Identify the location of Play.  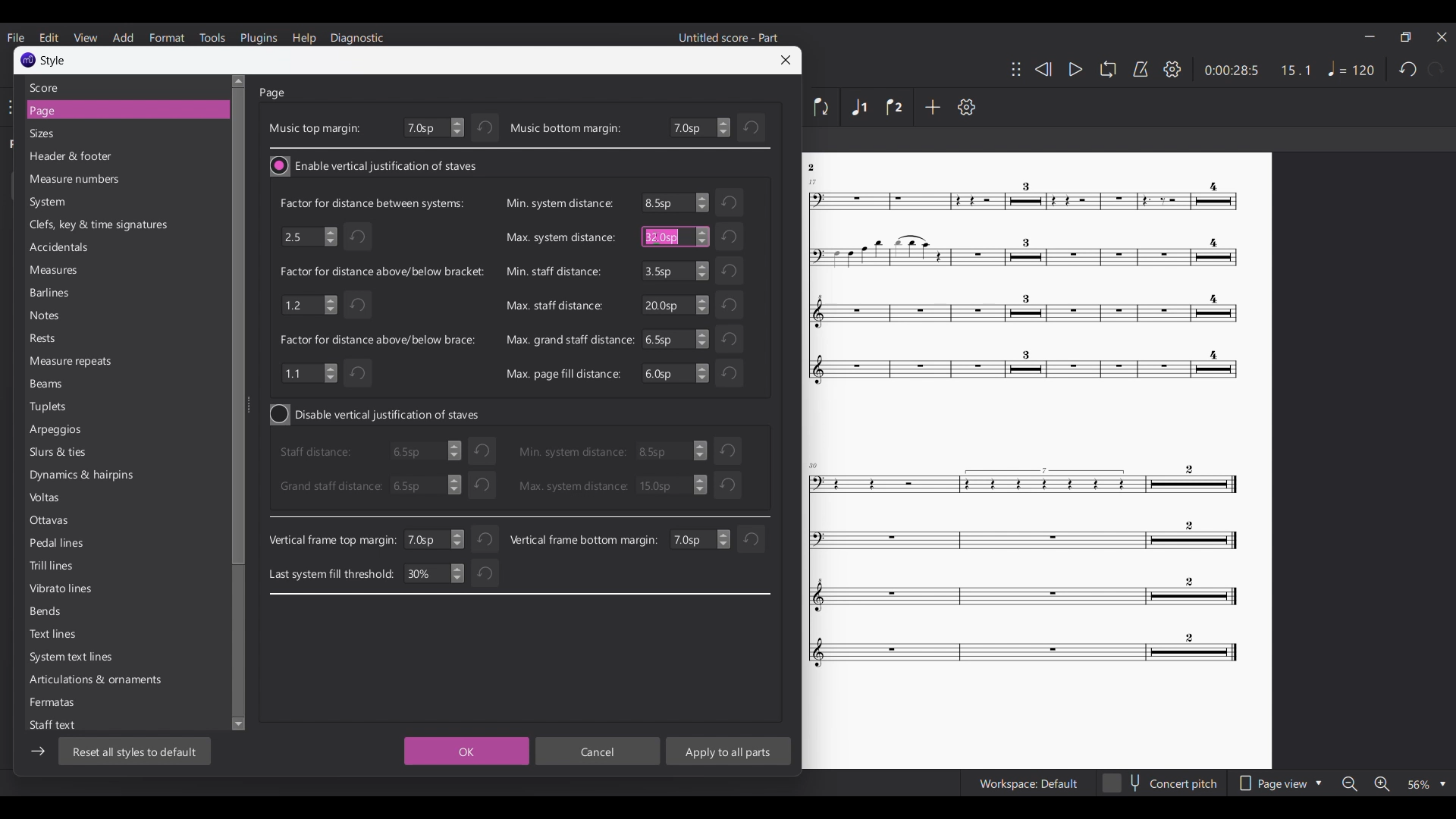
(1076, 70).